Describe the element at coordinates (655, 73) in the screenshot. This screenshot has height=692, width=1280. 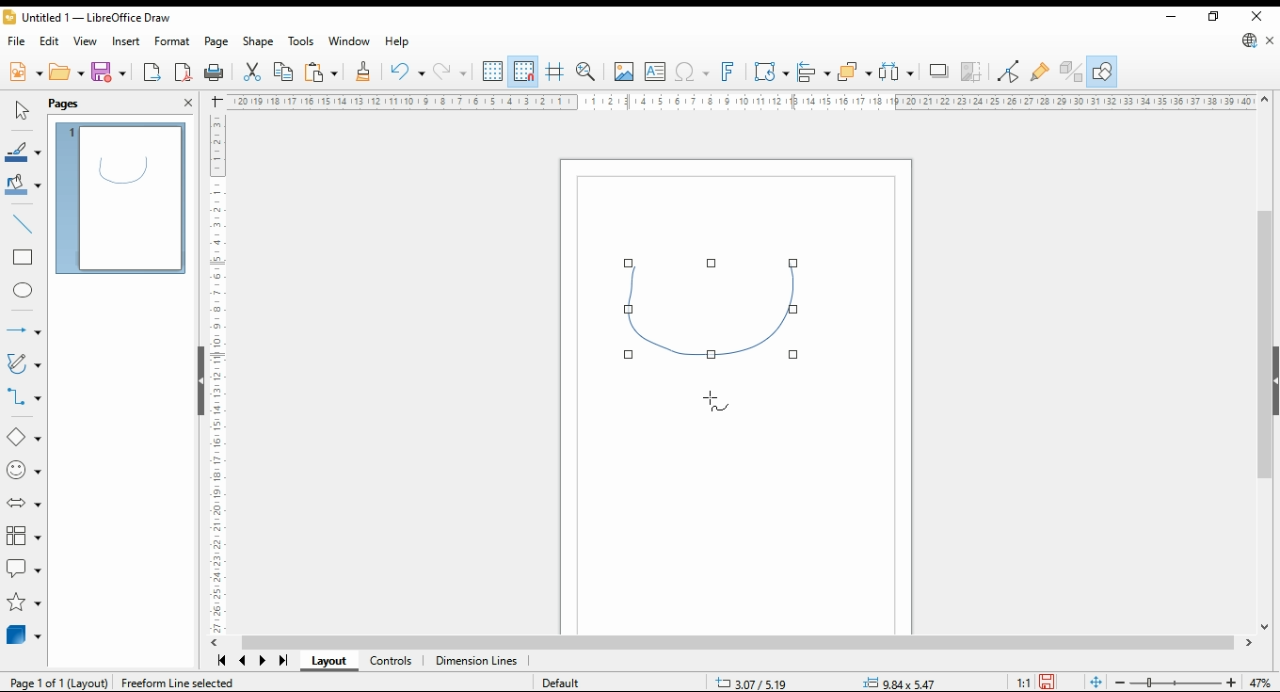
I see `insert text box` at that location.